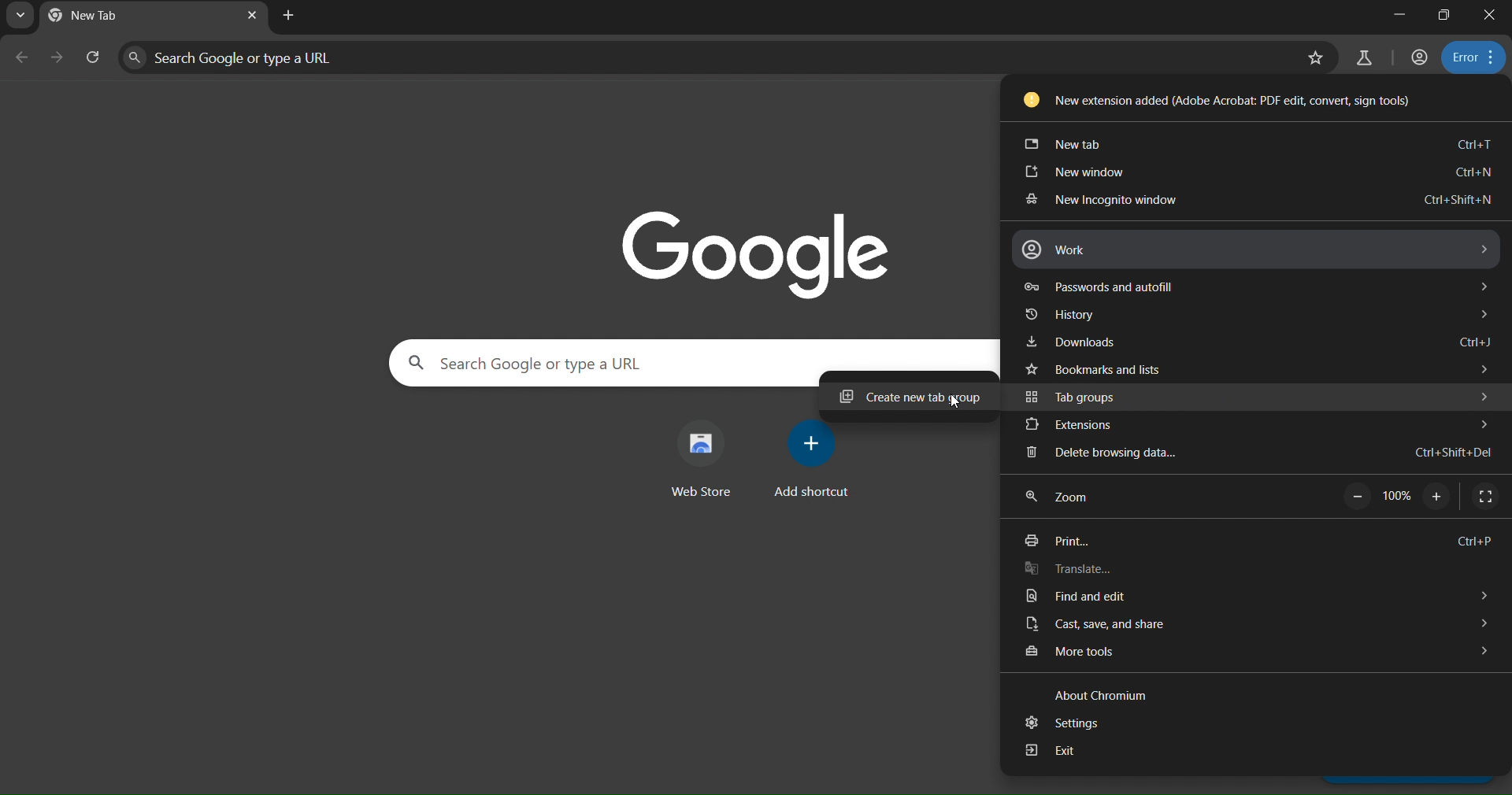  Describe the element at coordinates (1265, 542) in the screenshot. I see `print` at that location.